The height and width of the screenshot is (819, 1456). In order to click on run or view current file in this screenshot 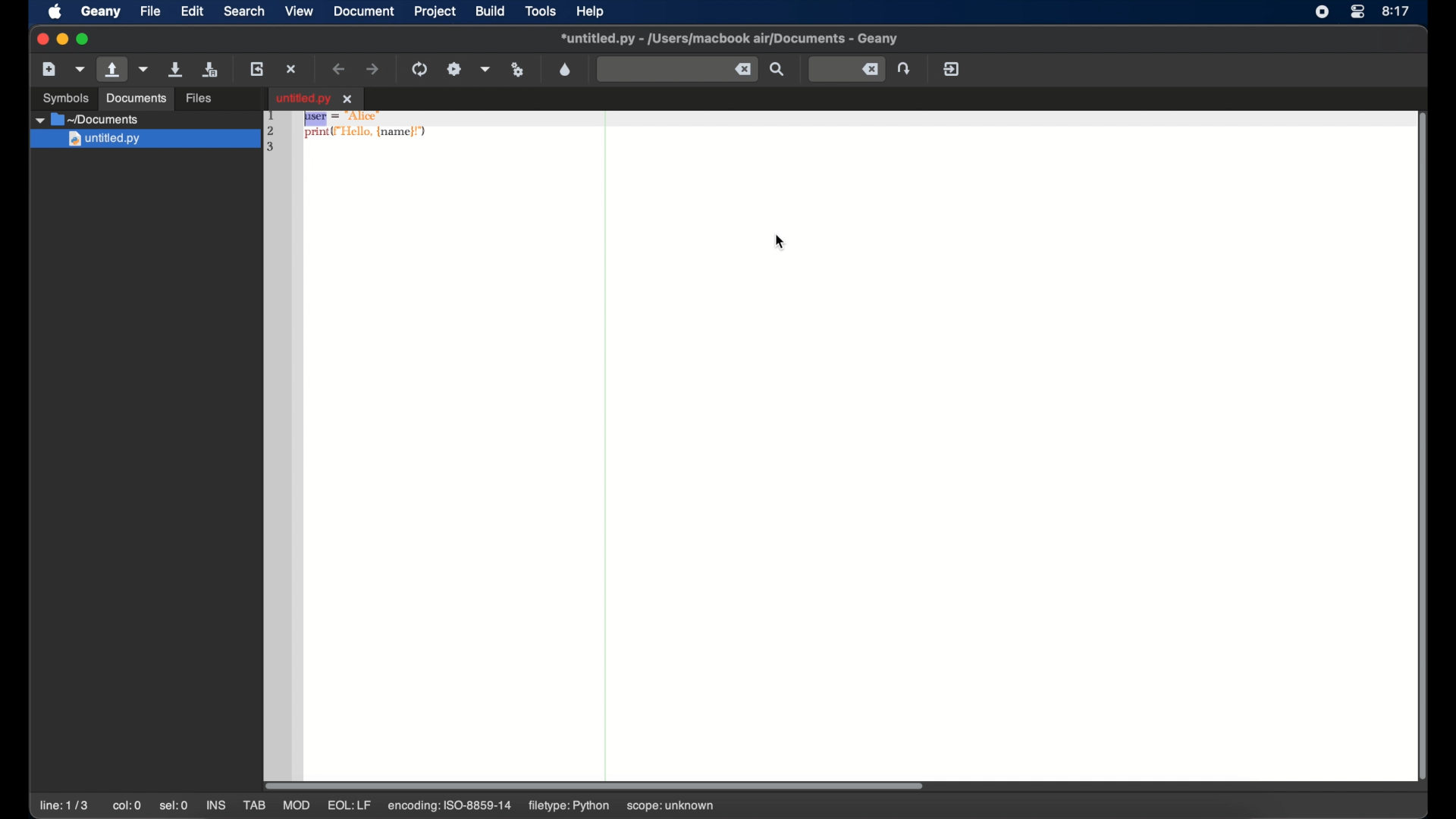, I will do `click(519, 70)`.